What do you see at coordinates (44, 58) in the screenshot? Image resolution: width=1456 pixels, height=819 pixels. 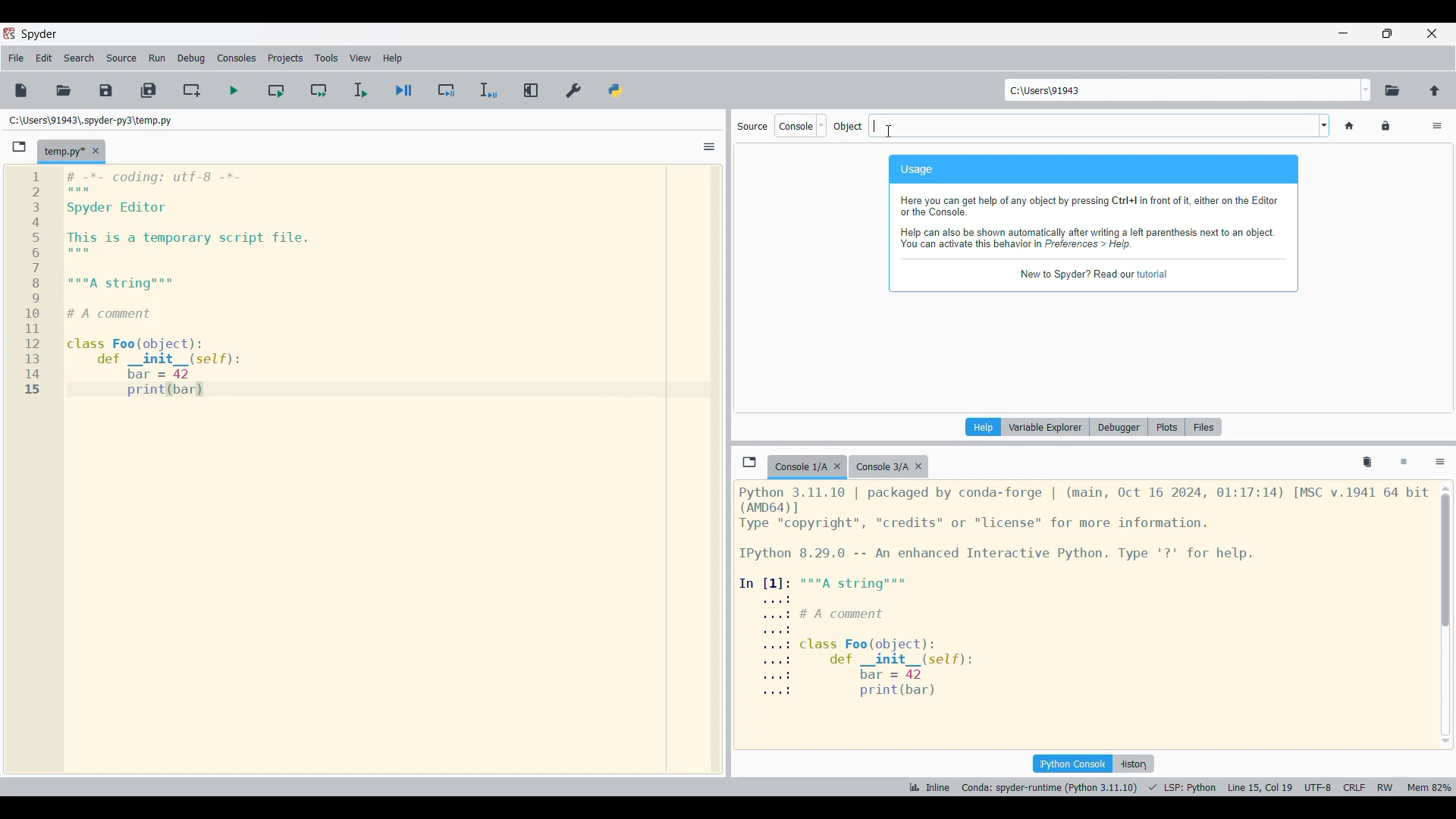 I see `Edit menu` at bounding box center [44, 58].